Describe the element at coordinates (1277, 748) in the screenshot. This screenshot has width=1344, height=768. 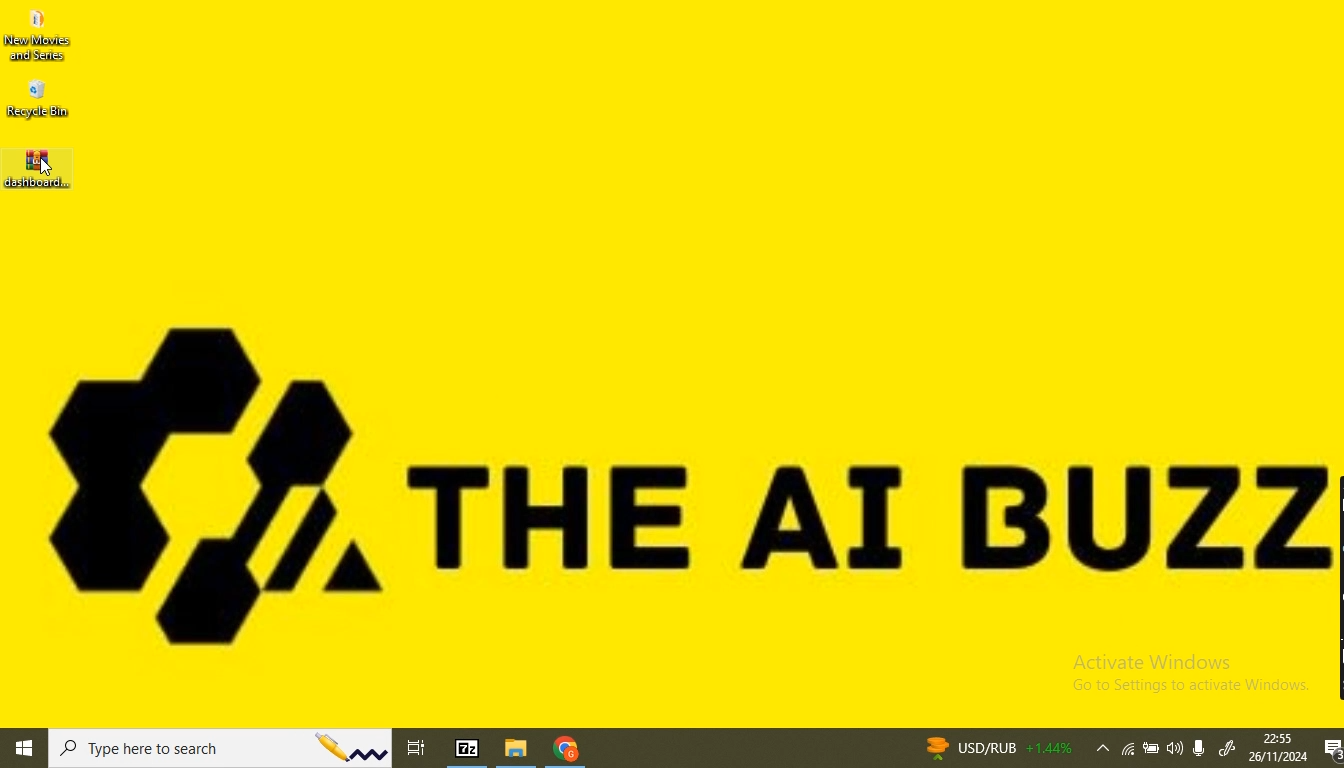
I see `date and time` at that location.